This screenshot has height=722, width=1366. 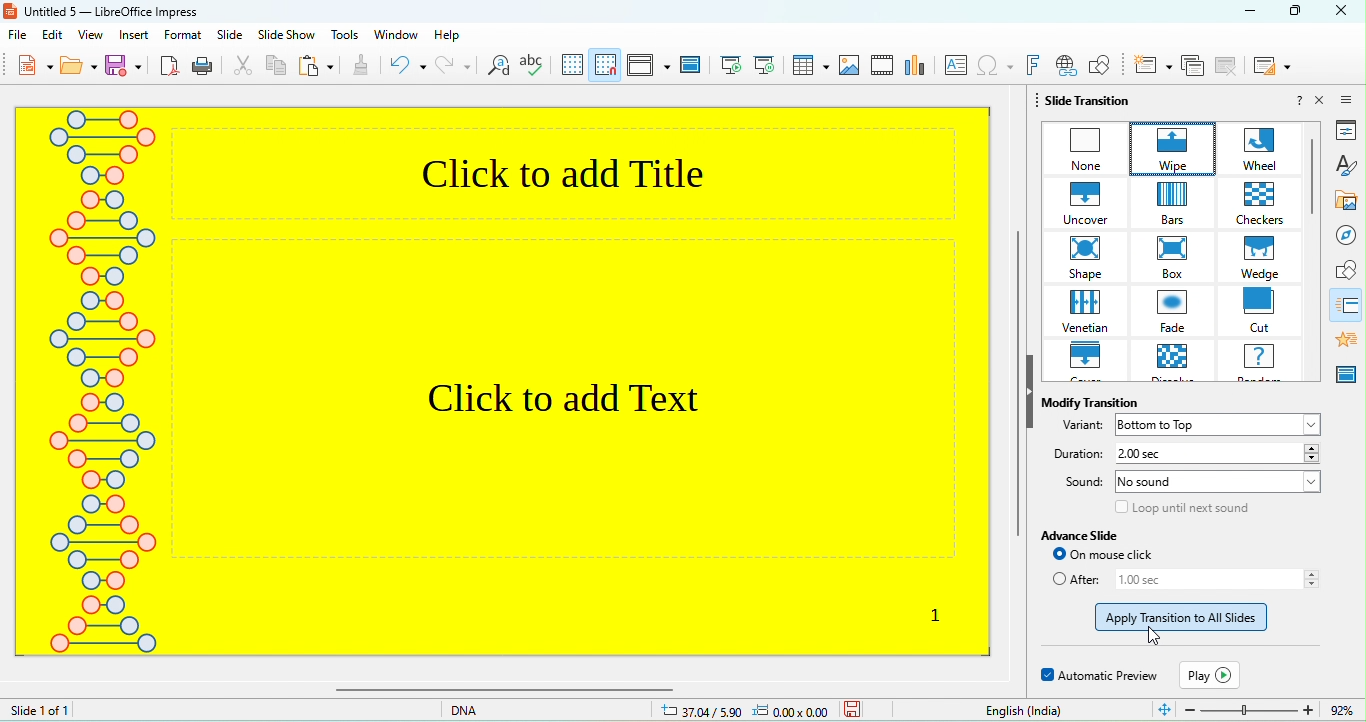 I want to click on first slide, so click(x=732, y=69).